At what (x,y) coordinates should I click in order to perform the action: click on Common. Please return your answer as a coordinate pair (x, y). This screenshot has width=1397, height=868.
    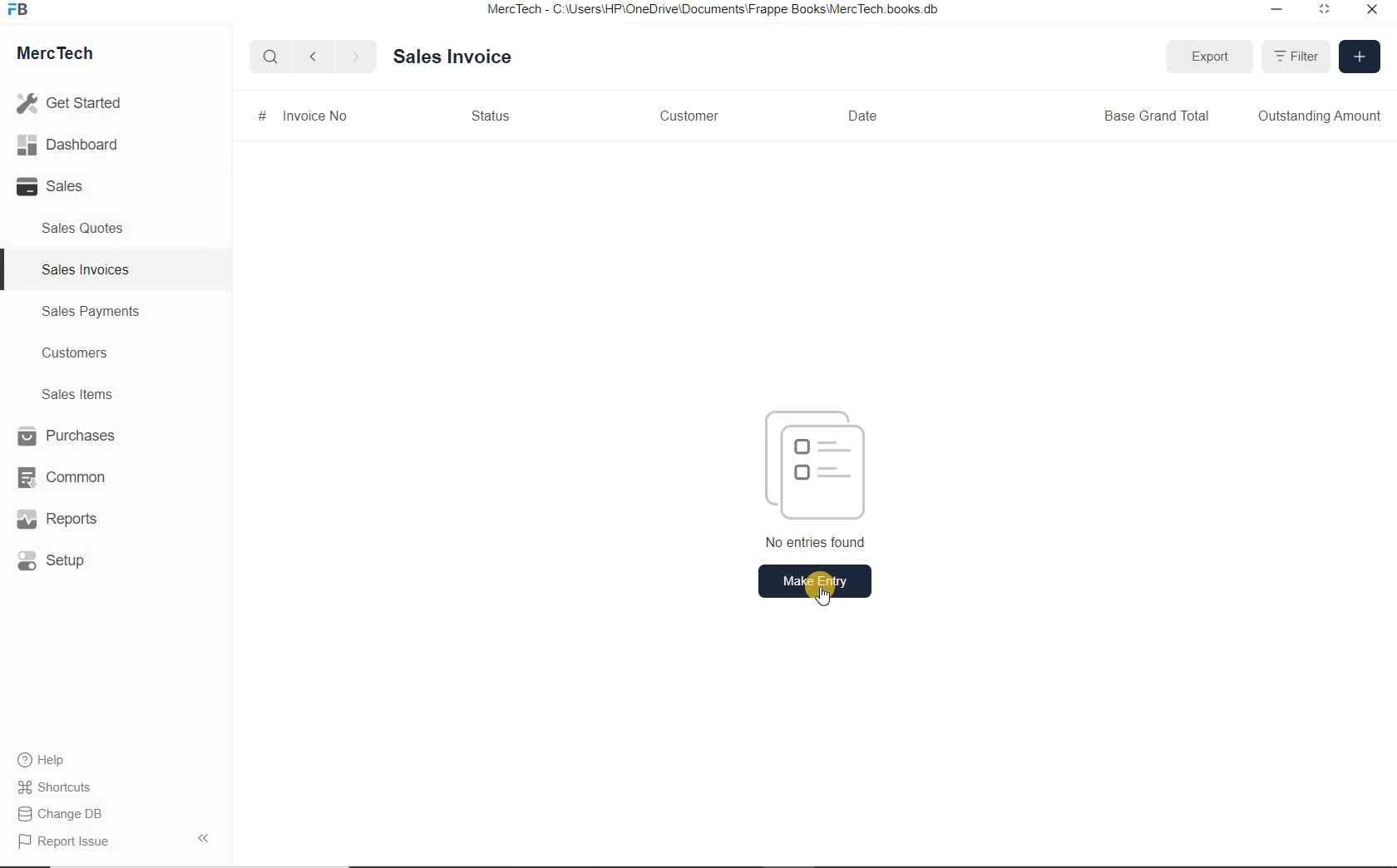
    Looking at the image, I should click on (69, 476).